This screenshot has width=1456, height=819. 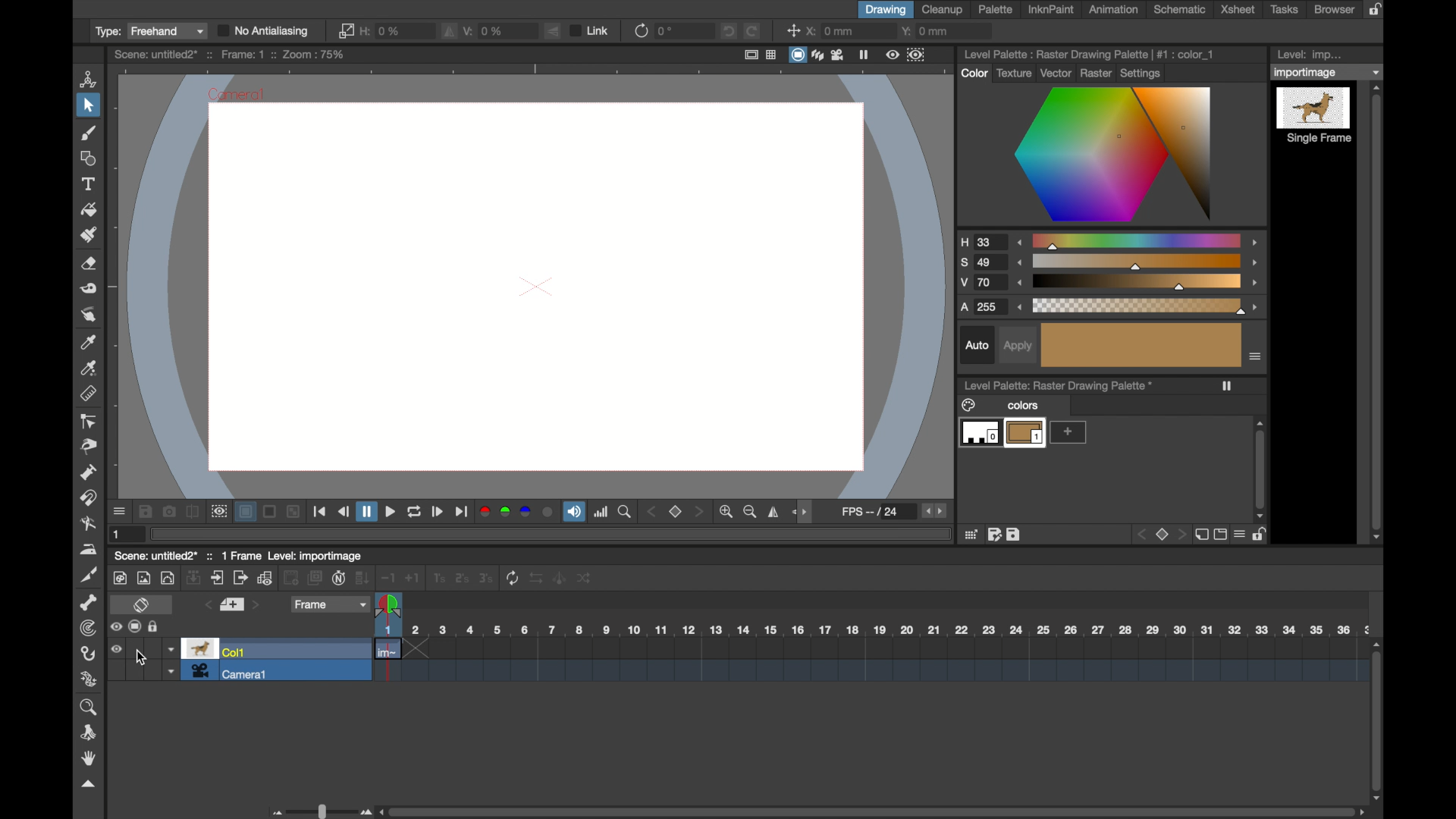 I want to click on settings, so click(x=1143, y=72).